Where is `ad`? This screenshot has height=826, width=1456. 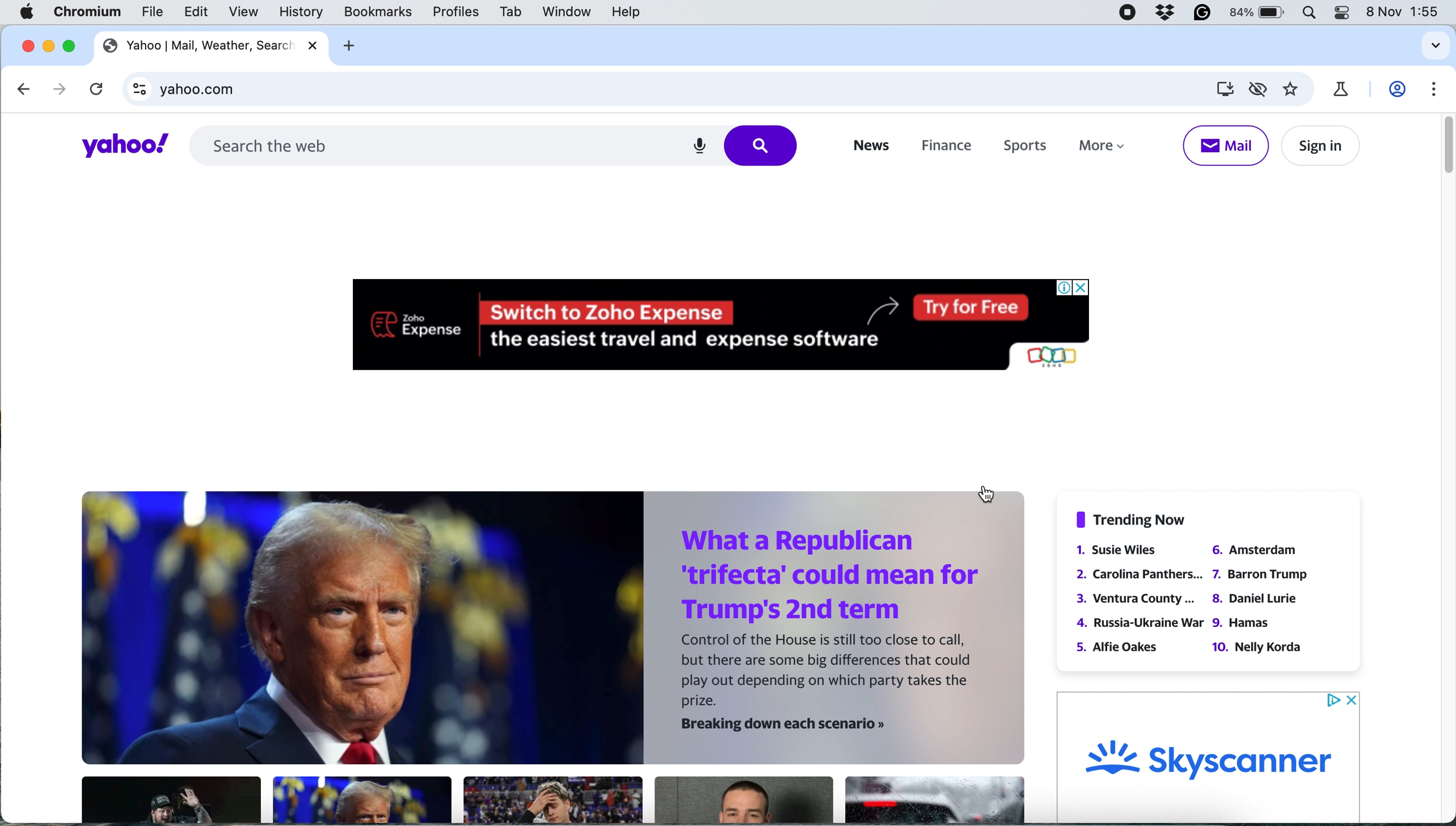 ad is located at coordinates (728, 320).